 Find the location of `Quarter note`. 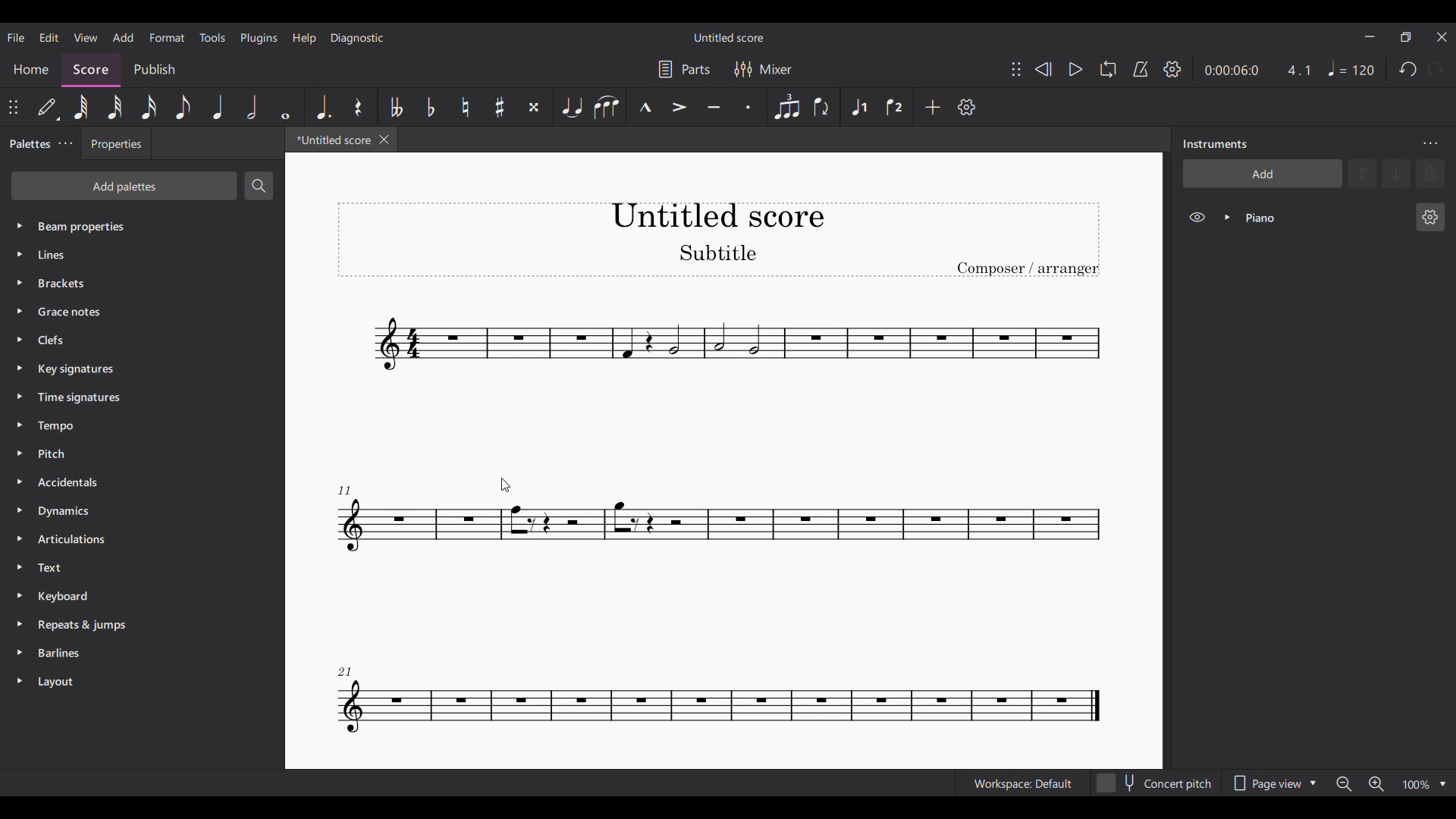

Quarter note is located at coordinates (218, 107).